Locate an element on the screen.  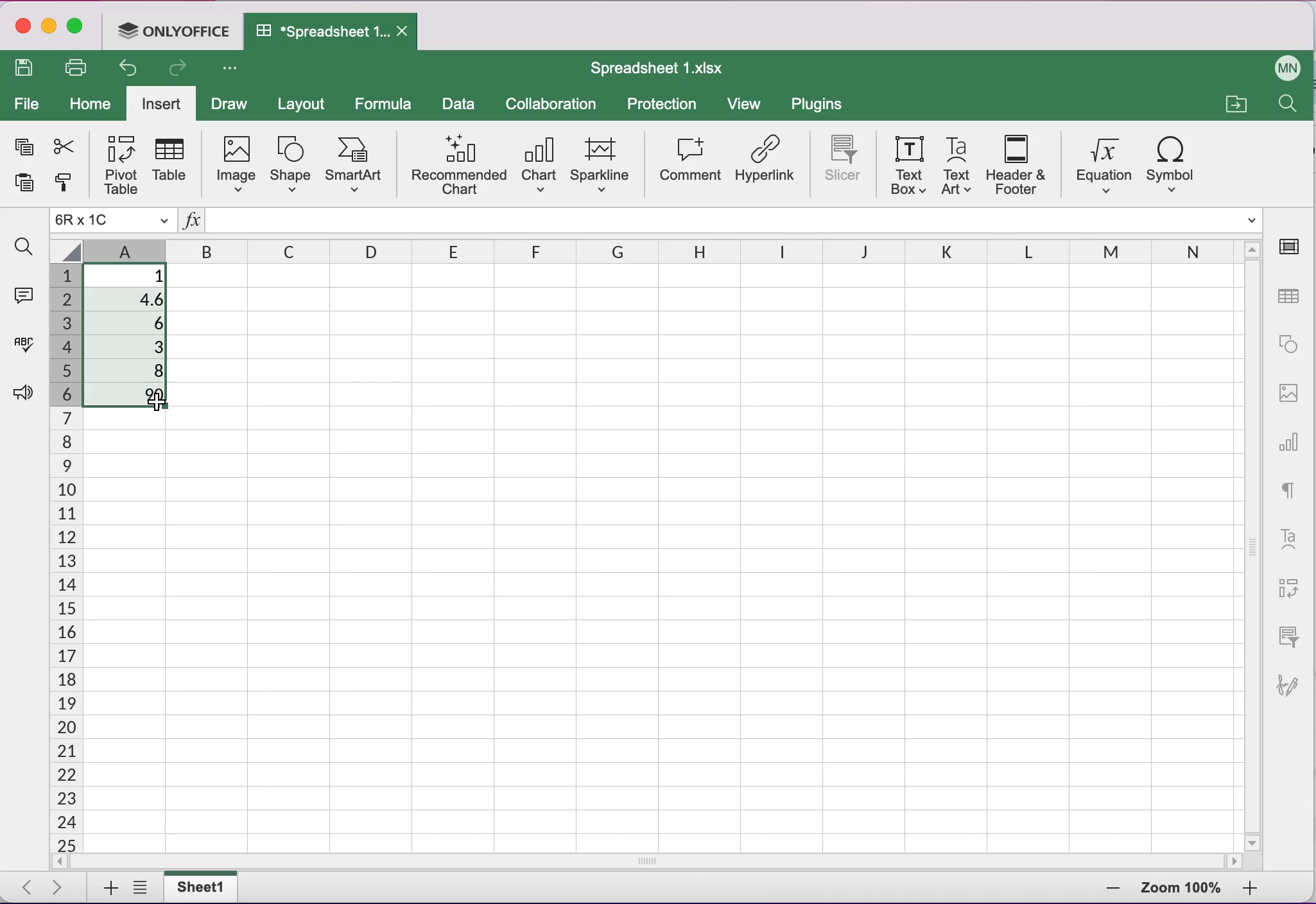
header and footer is located at coordinates (1016, 165).